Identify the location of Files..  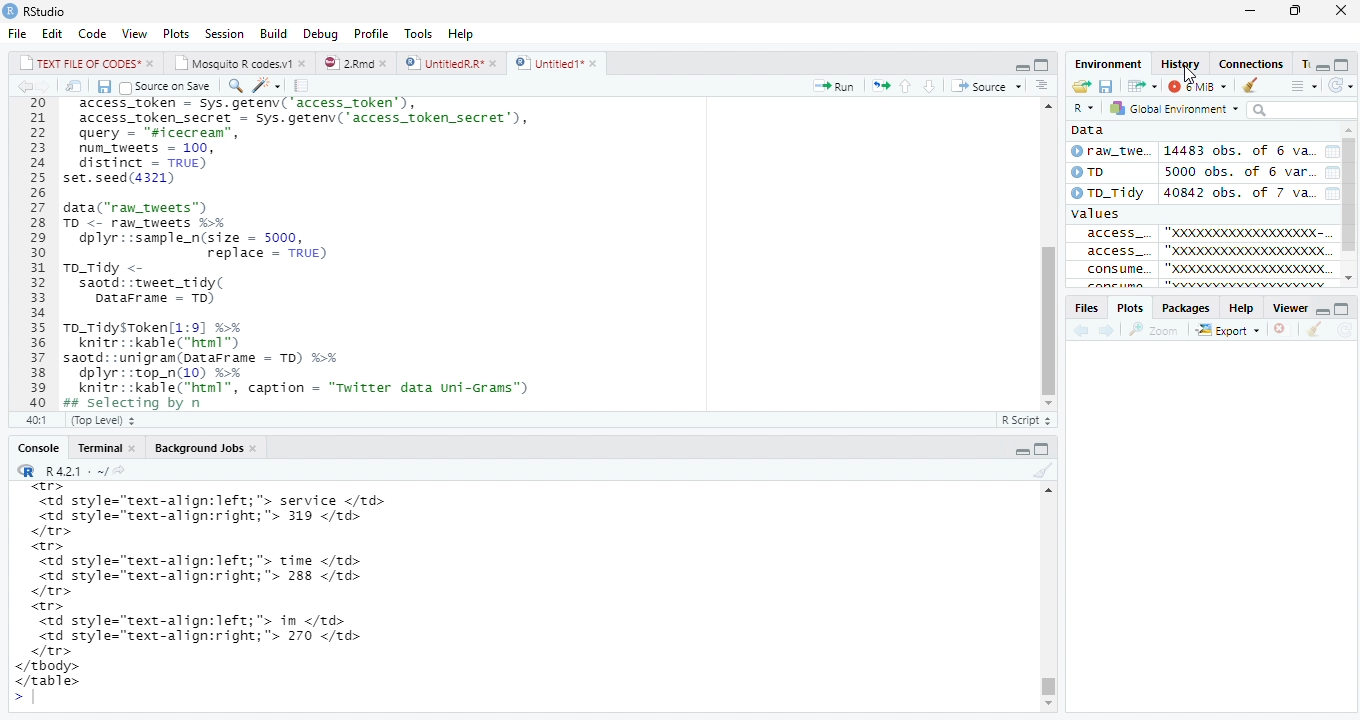
(1085, 307).